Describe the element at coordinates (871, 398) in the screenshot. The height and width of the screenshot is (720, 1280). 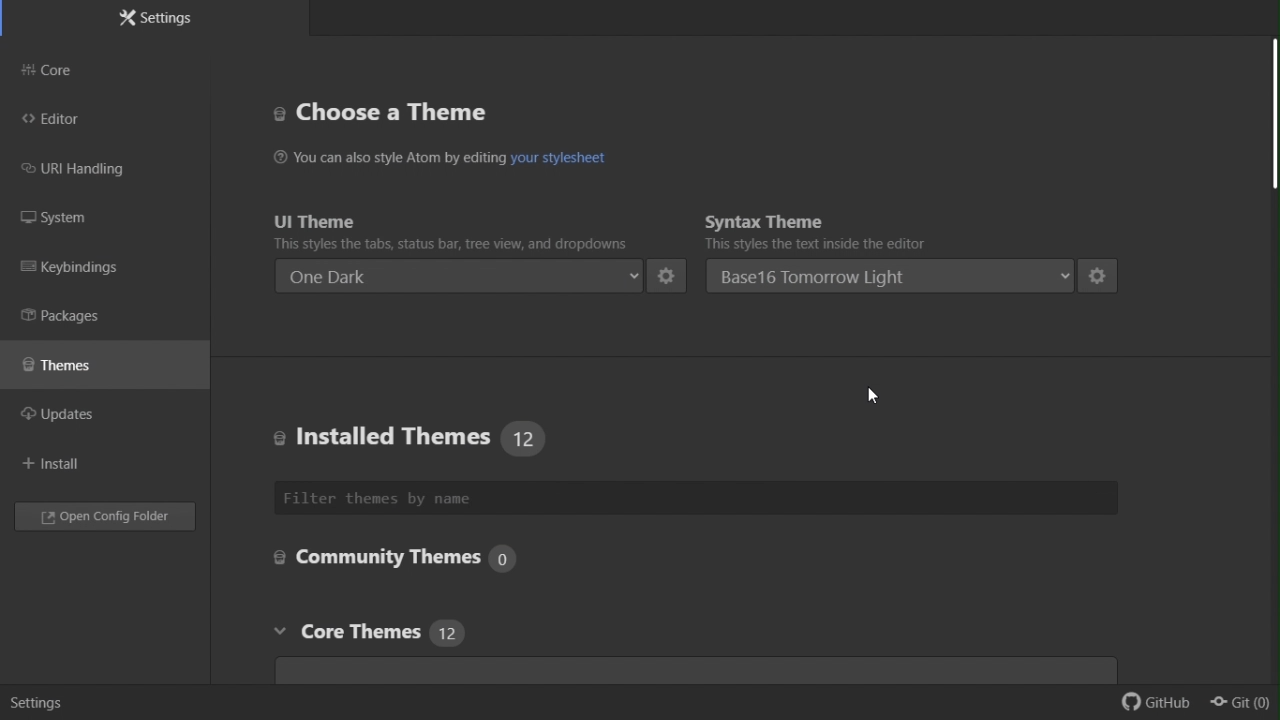
I see `cursor` at that location.